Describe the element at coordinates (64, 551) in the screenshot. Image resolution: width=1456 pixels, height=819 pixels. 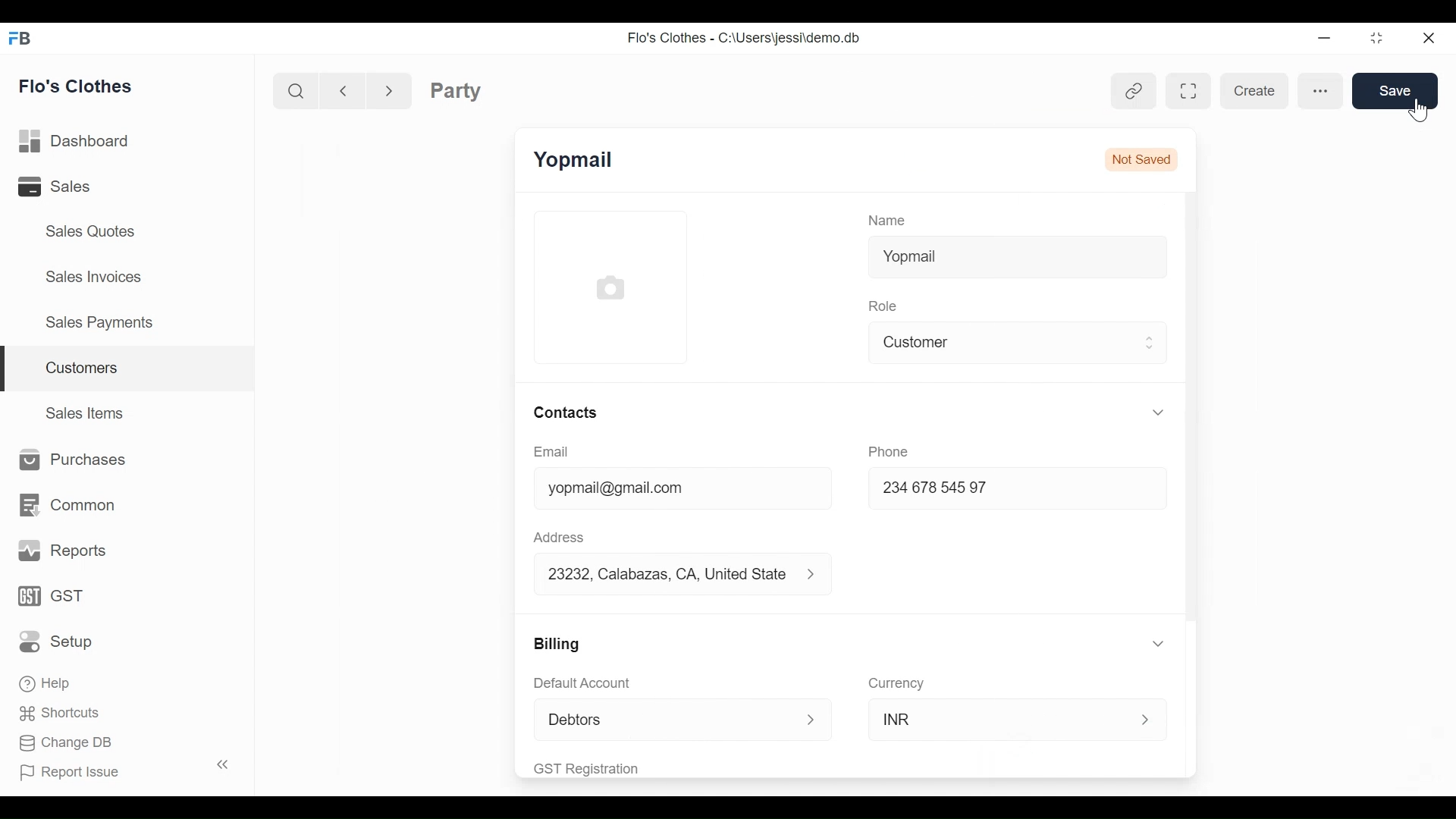
I see `Reports` at that location.